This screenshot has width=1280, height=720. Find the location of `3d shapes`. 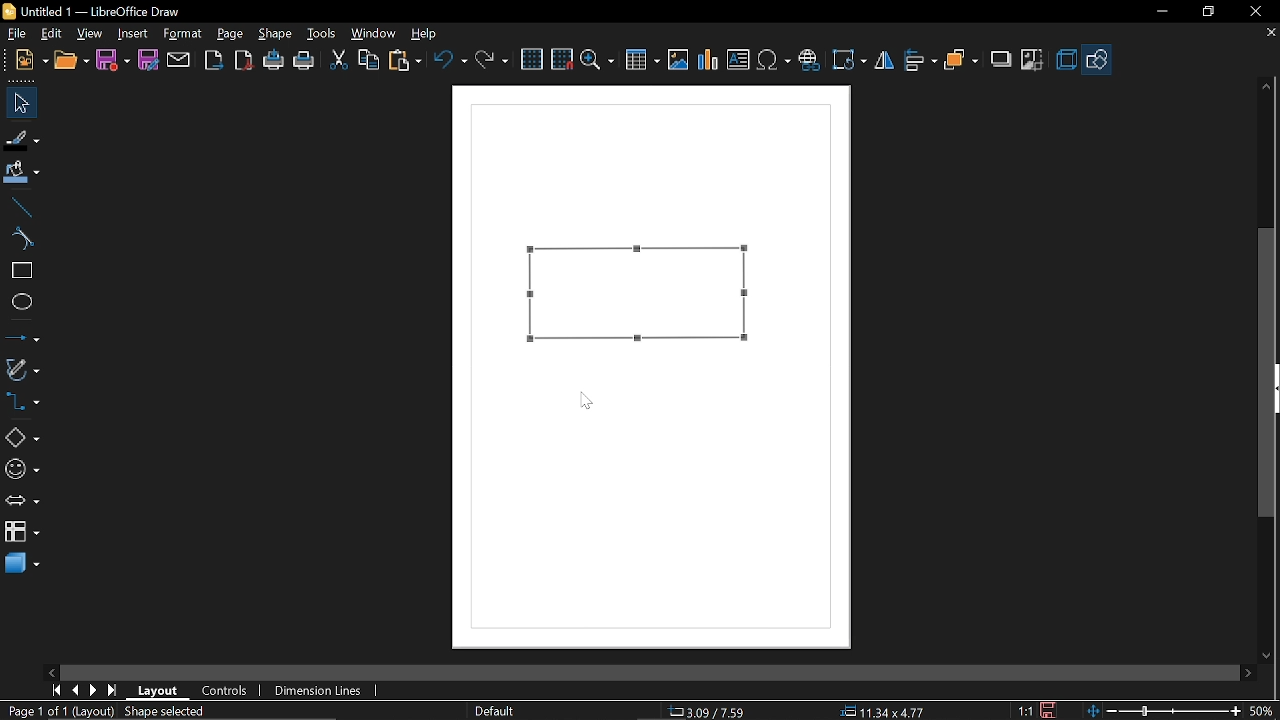

3d shapes is located at coordinates (21, 564).